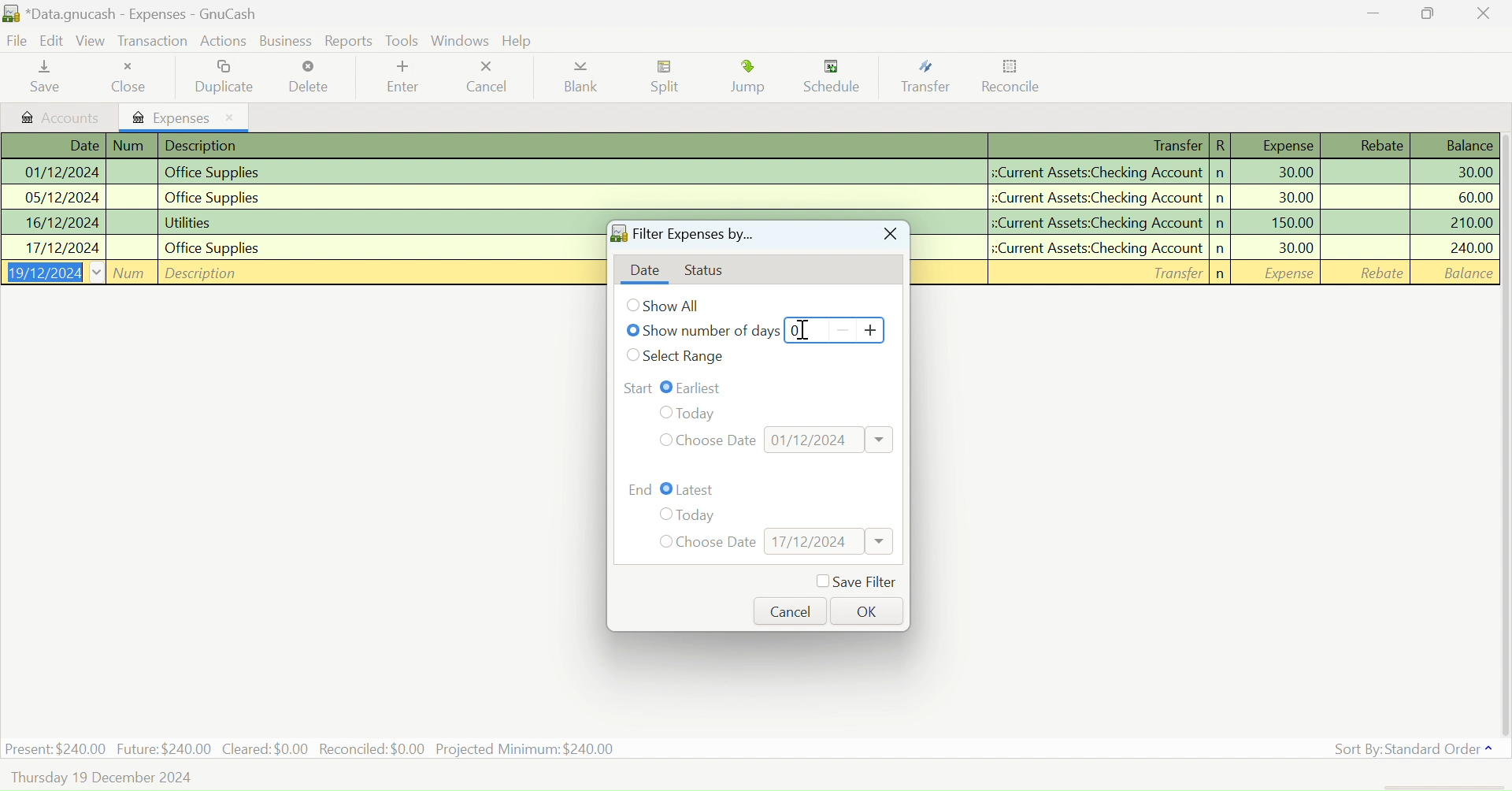 The width and height of the screenshot is (1512, 791). I want to click on Save Filter Checkbox, so click(855, 582).